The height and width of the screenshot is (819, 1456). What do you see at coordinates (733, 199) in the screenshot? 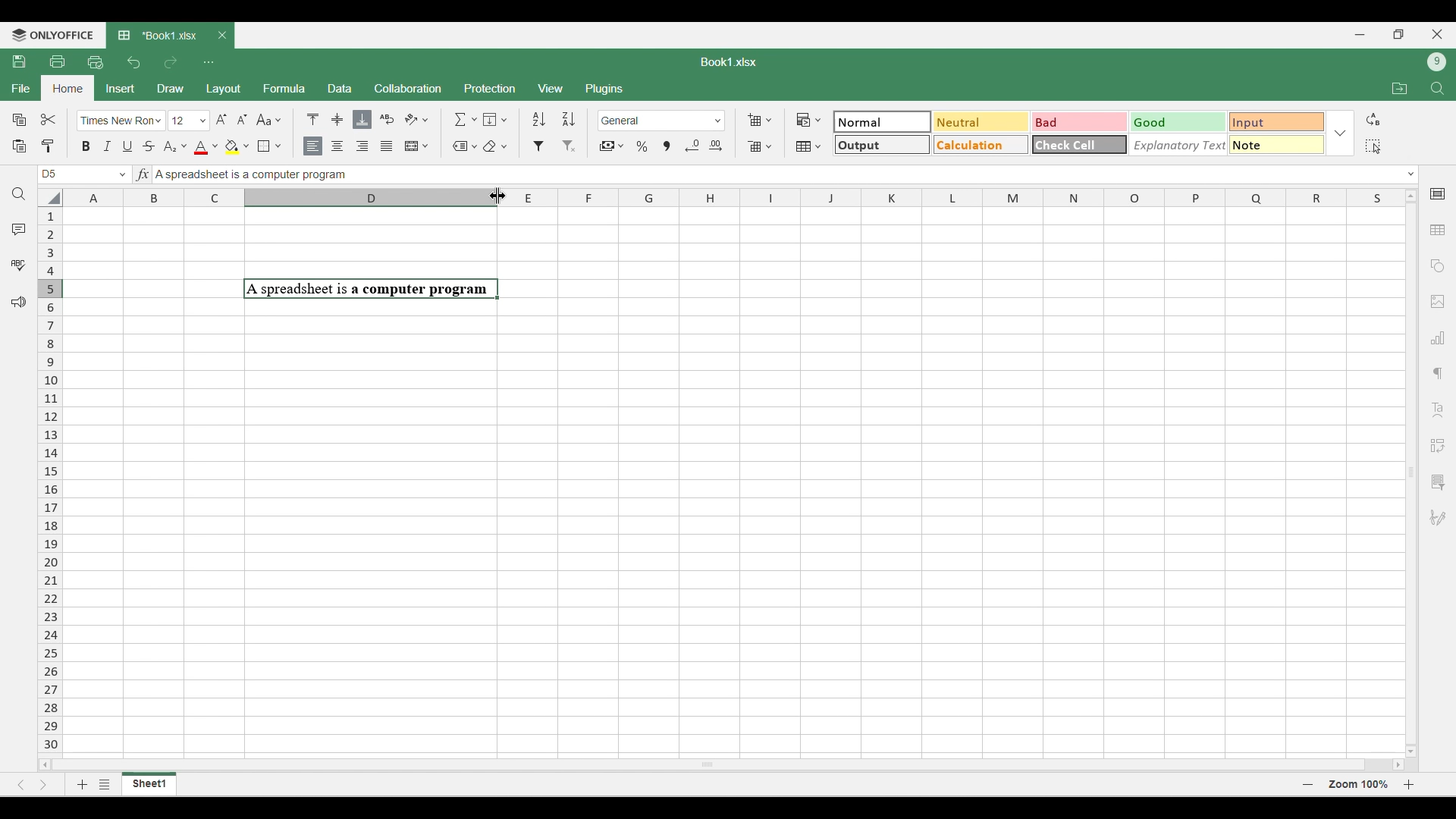
I see `Horizontal marker` at bounding box center [733, 199].